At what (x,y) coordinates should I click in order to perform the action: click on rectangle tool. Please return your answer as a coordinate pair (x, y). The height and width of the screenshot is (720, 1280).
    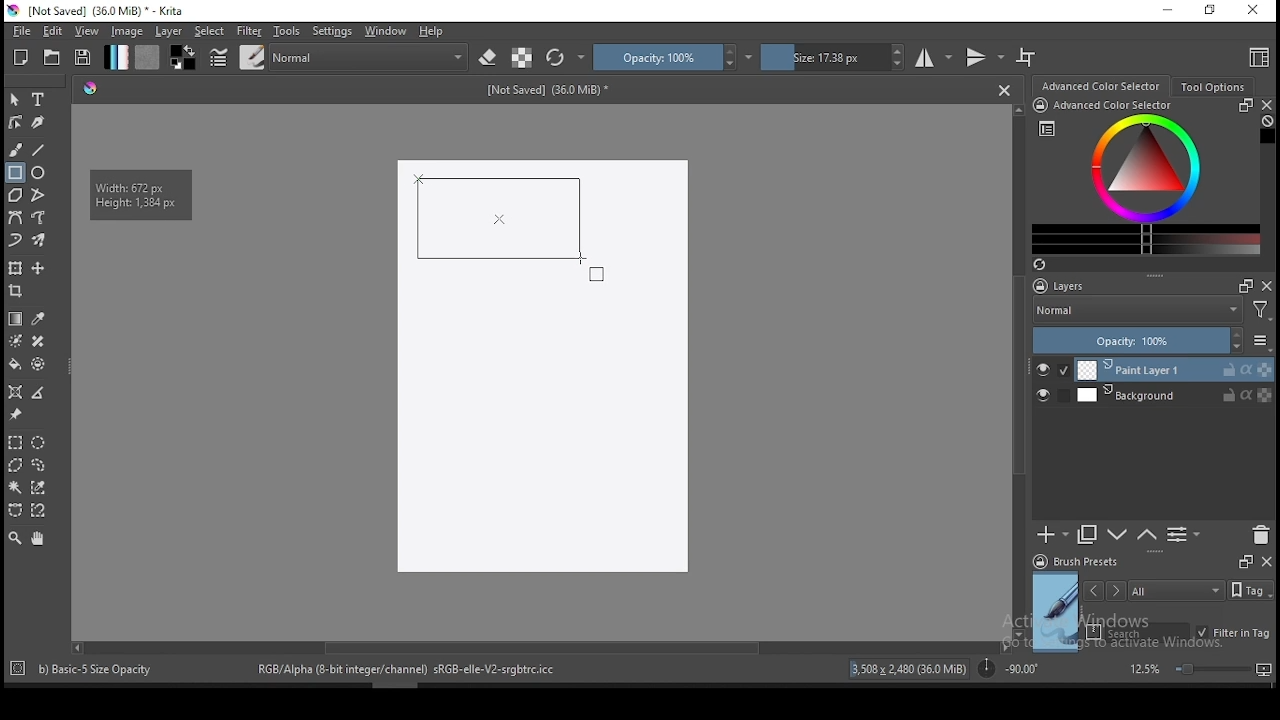
    Looking at the image, I should click on (15, 173).